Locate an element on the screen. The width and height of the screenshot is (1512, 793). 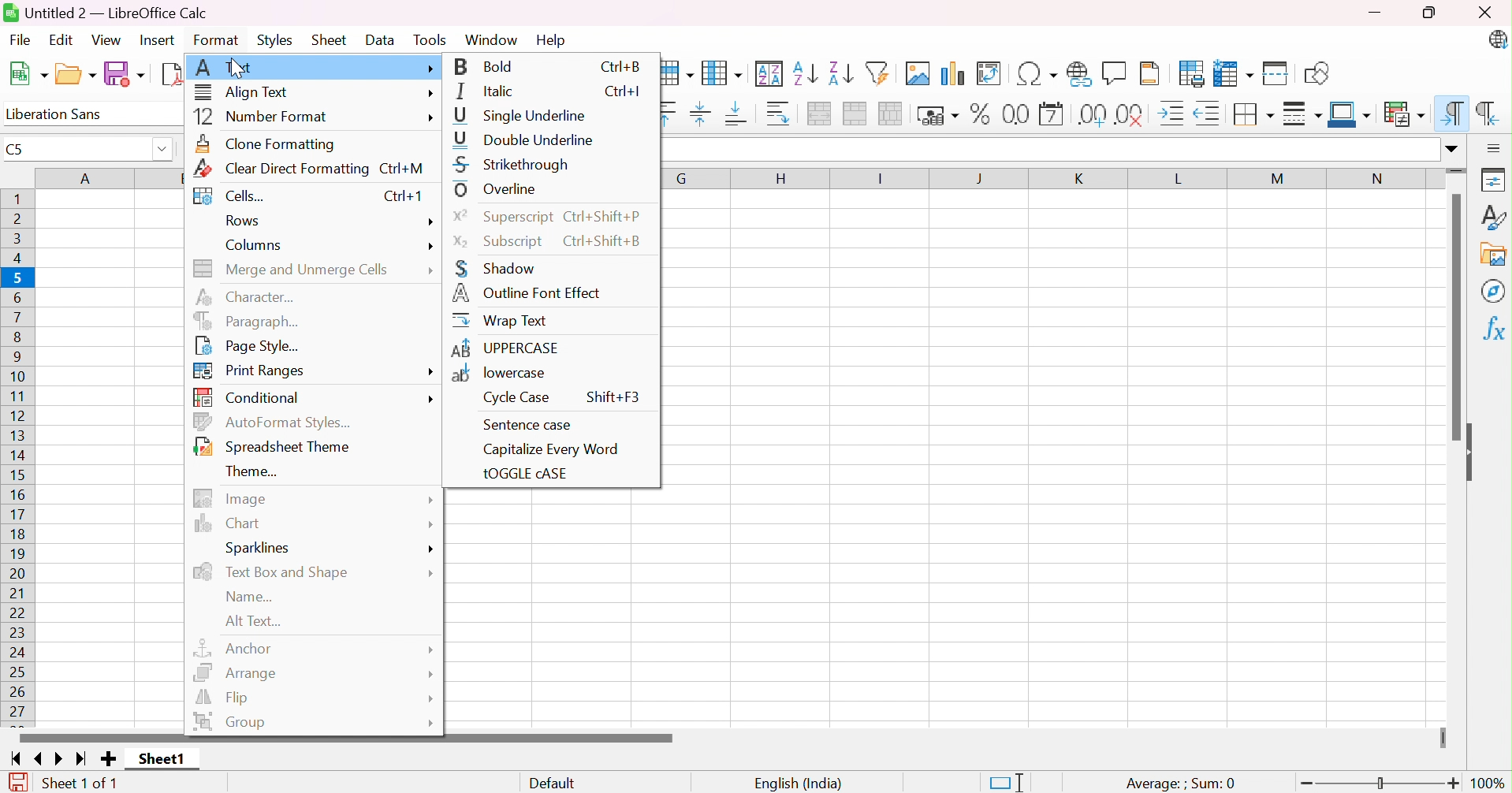
 is located at coordinates (431, 220).